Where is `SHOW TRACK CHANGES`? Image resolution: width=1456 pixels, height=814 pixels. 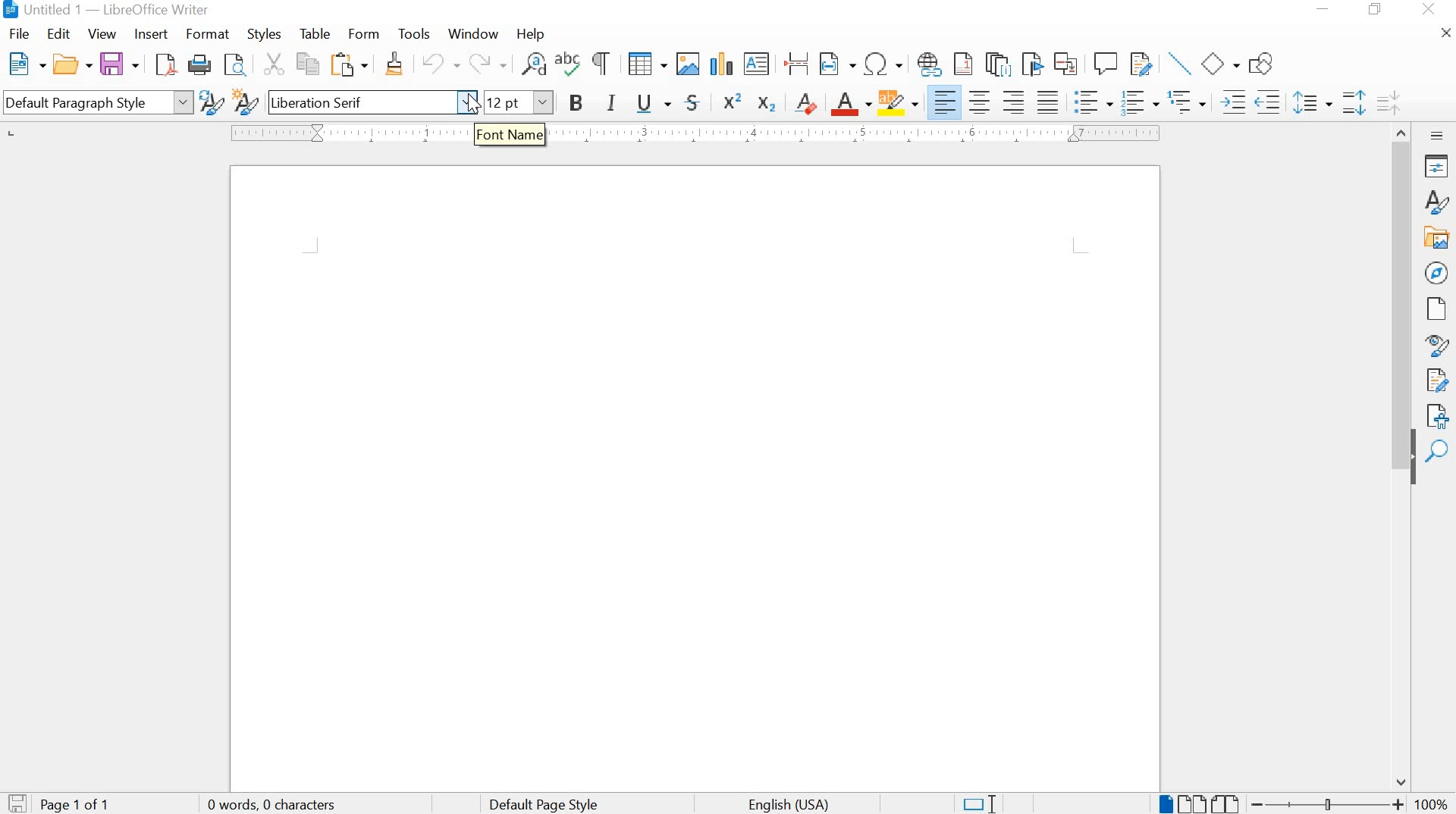
SHOW TRACK CHANGES is located at coordinates (1143, 64).